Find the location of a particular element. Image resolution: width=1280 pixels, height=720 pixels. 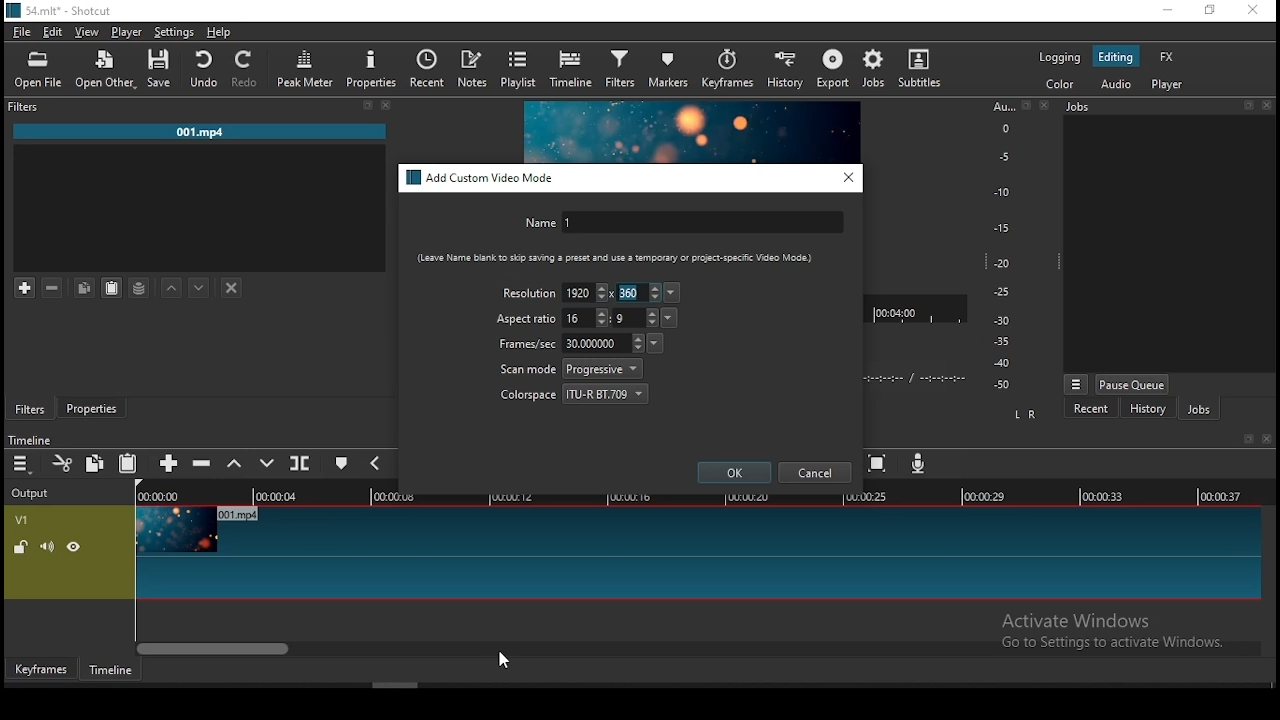

record audio is located at coordinates (919, 463).